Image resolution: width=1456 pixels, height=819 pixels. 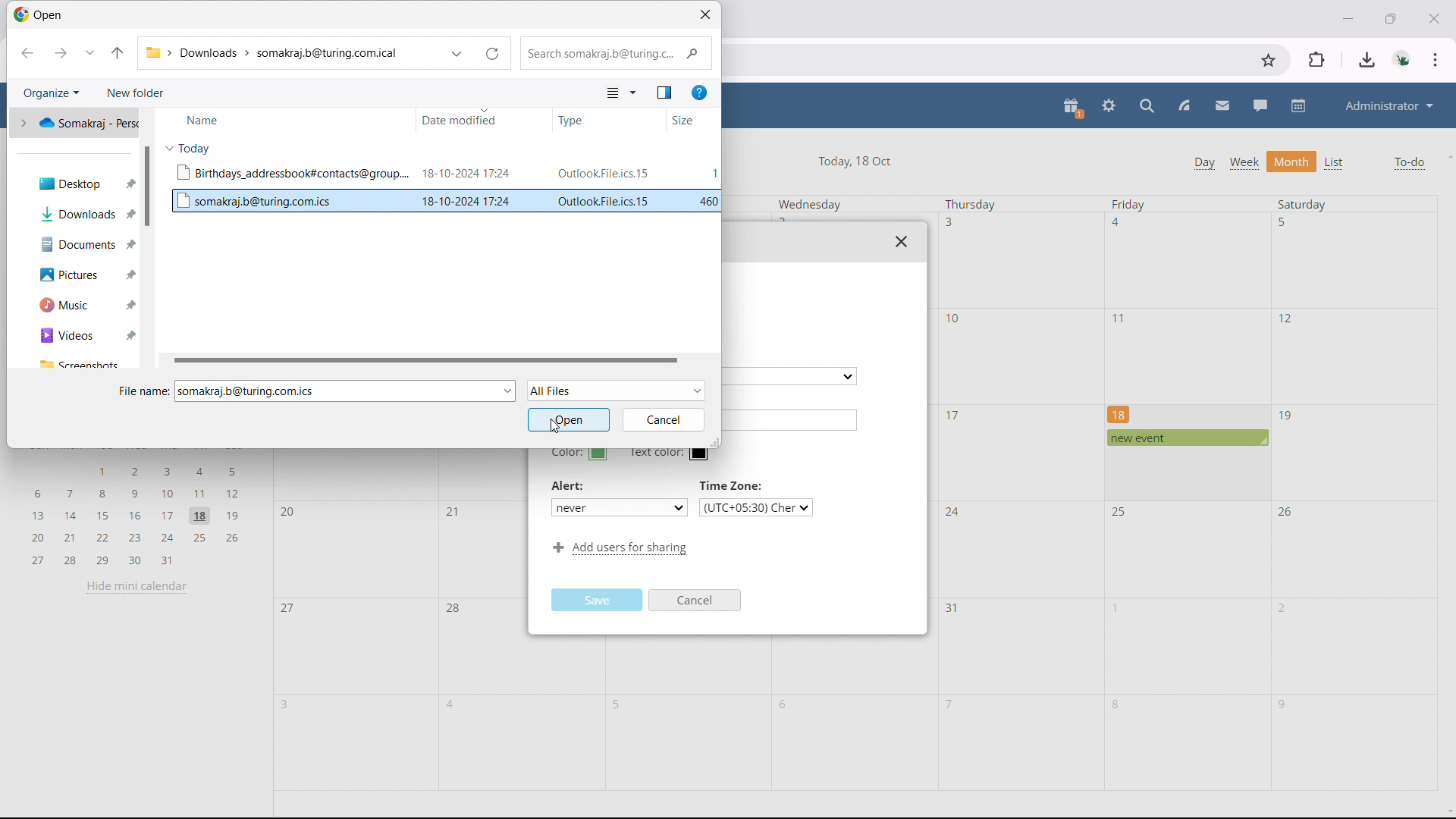 What do you see at coordinates (42, 17) in the screenshot?
I see `Open` at bounding box center [42, 17].